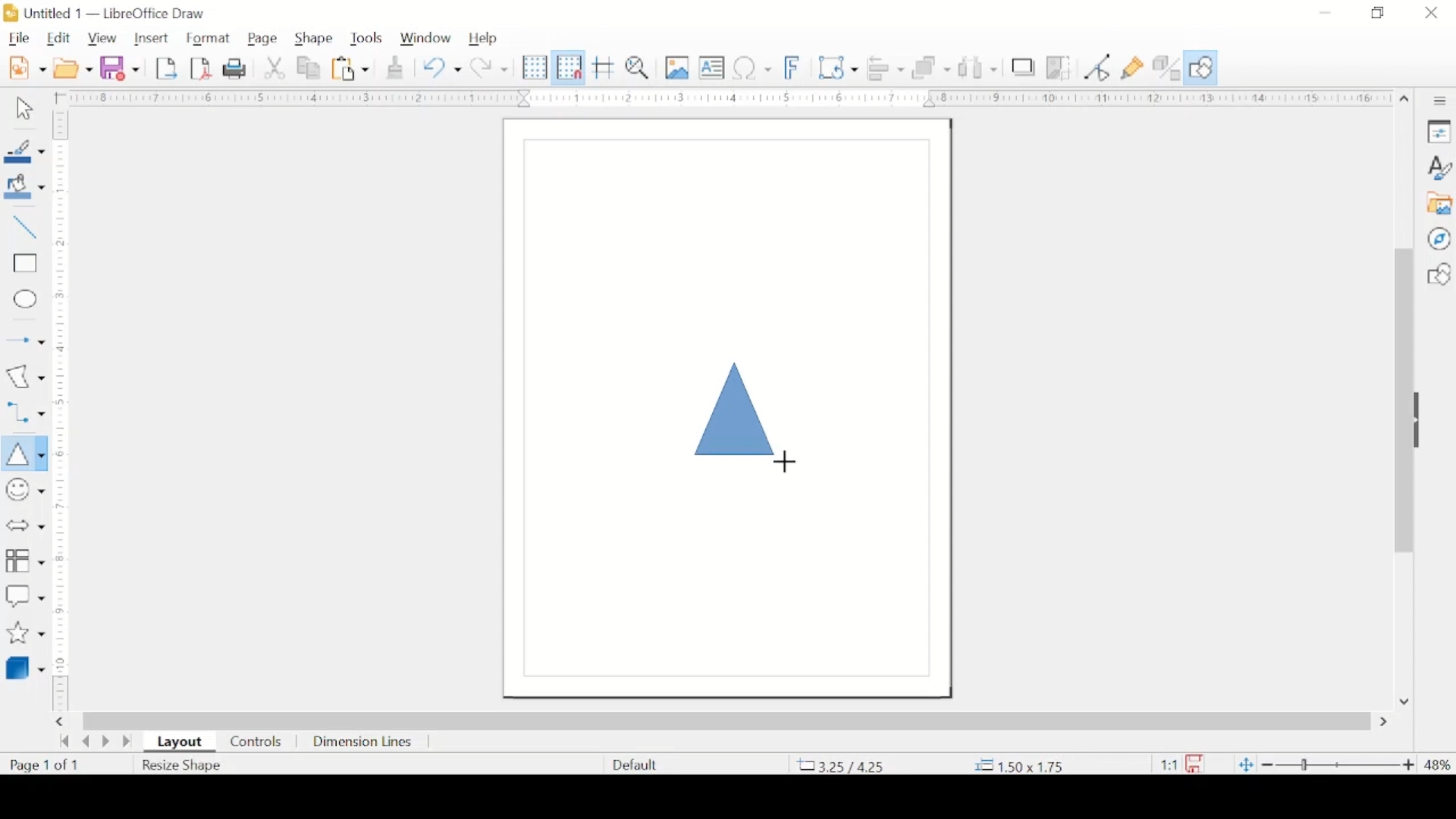 This screenshot has height=819, width=1456. I want to click on new, so click(29, 67).